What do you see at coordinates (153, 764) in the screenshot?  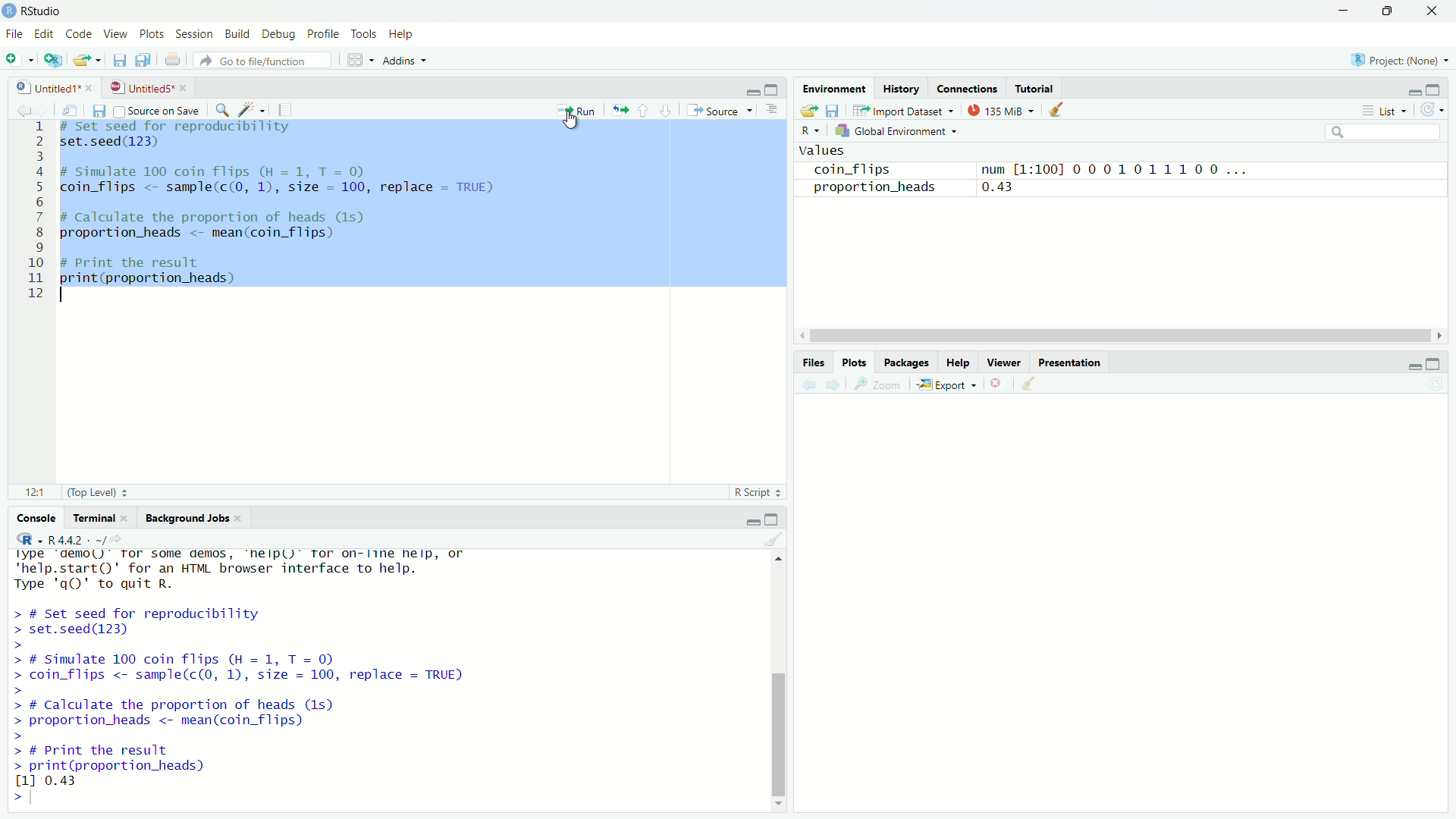 I see `> # Print the result
> print(proportion_heads)
11 0 43` at bounding box center [153, 764].